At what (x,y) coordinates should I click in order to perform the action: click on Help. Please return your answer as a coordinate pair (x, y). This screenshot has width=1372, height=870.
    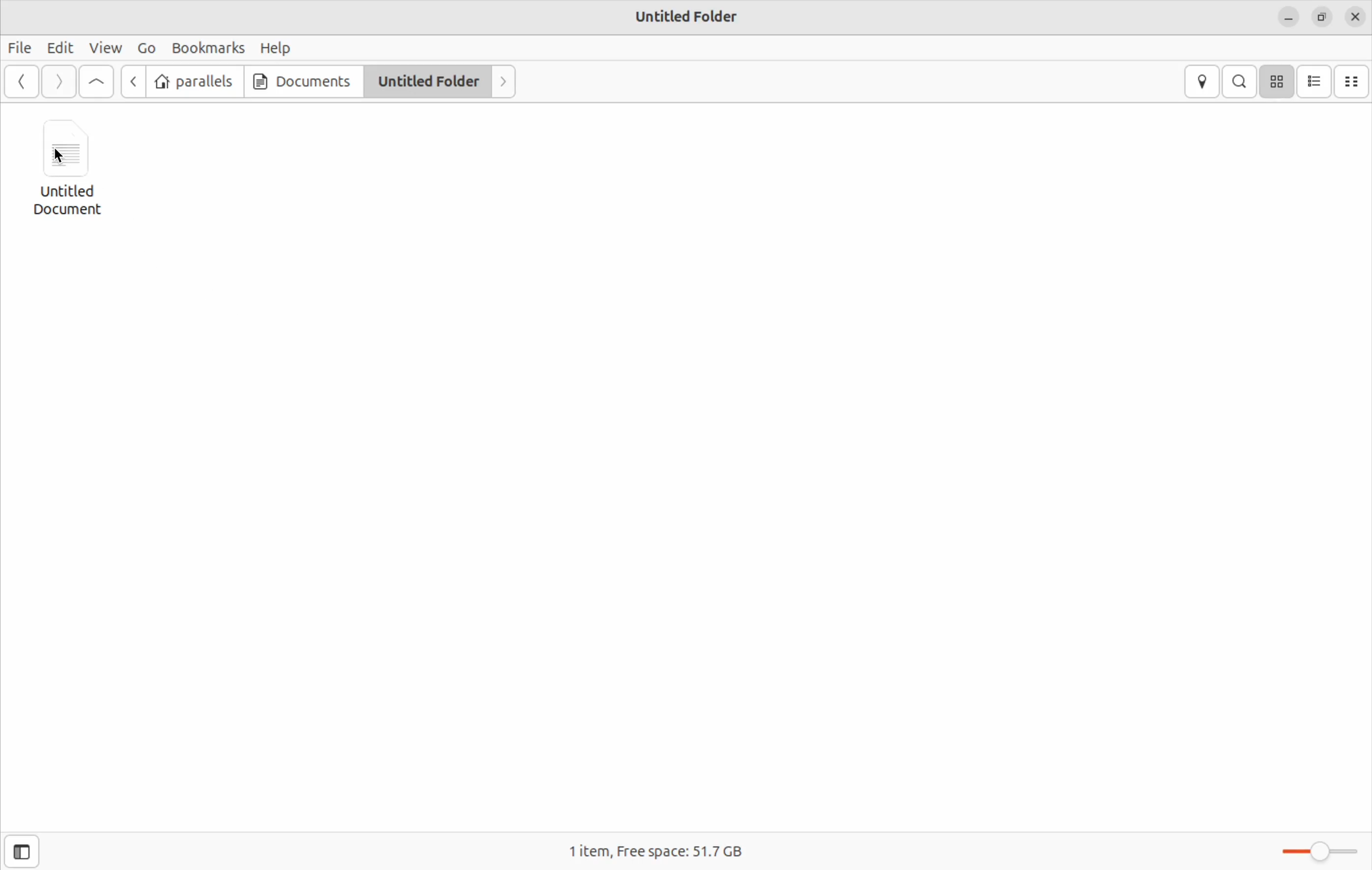
    Looking at the image, I should click on (276, 47).